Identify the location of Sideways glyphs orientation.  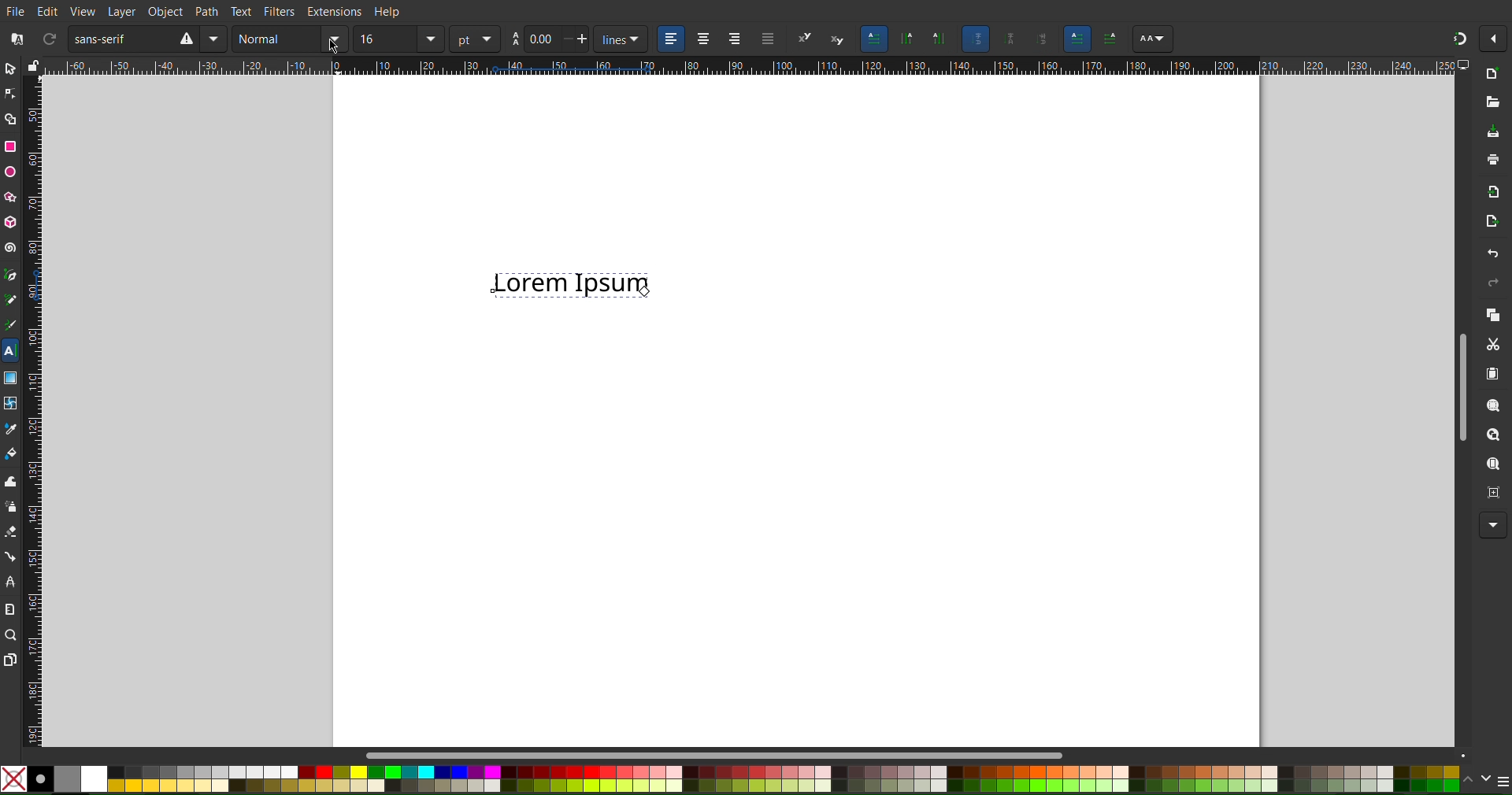
(1045, 39).